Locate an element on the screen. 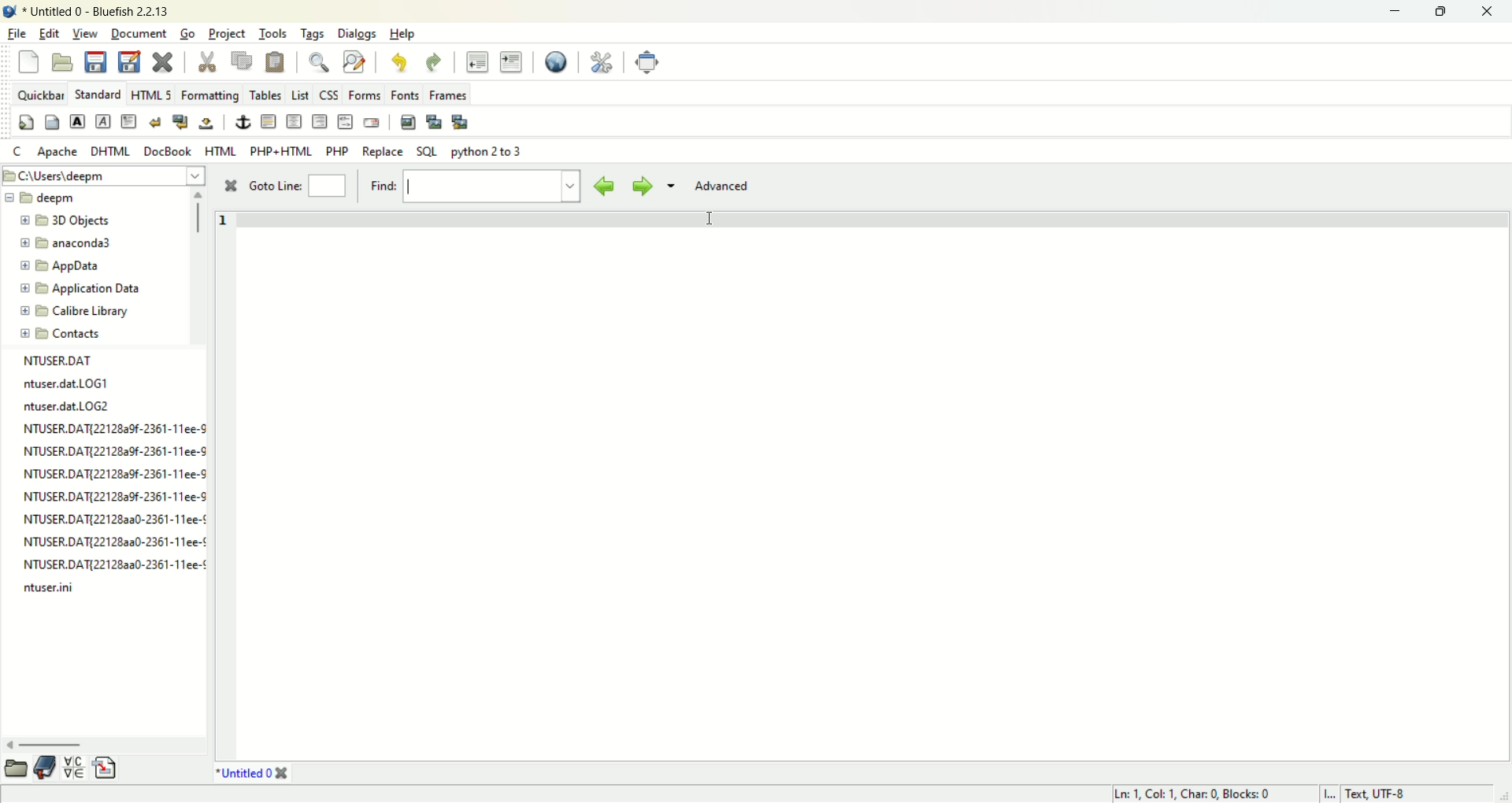  file is located at coordinates (18, 32).